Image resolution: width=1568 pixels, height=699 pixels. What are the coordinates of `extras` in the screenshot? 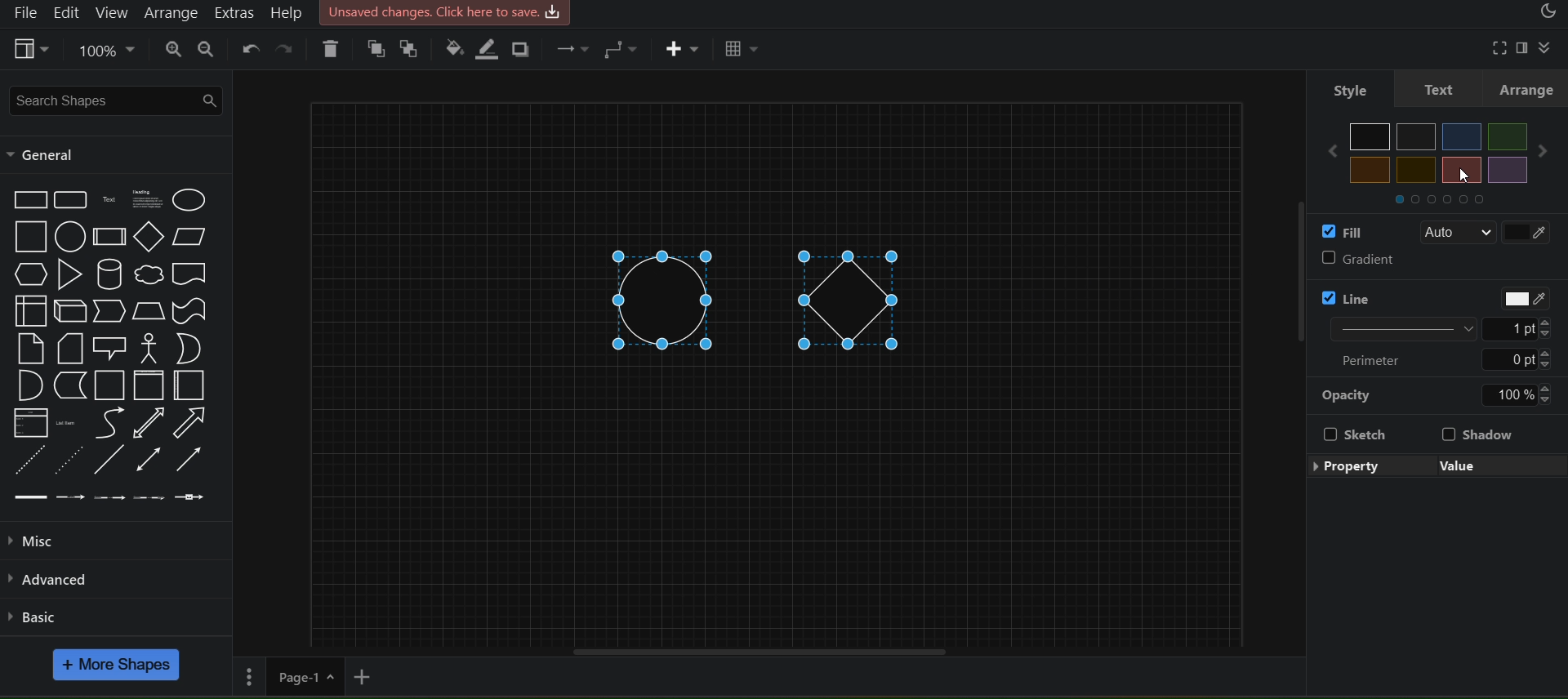 It's located at (232, 12).